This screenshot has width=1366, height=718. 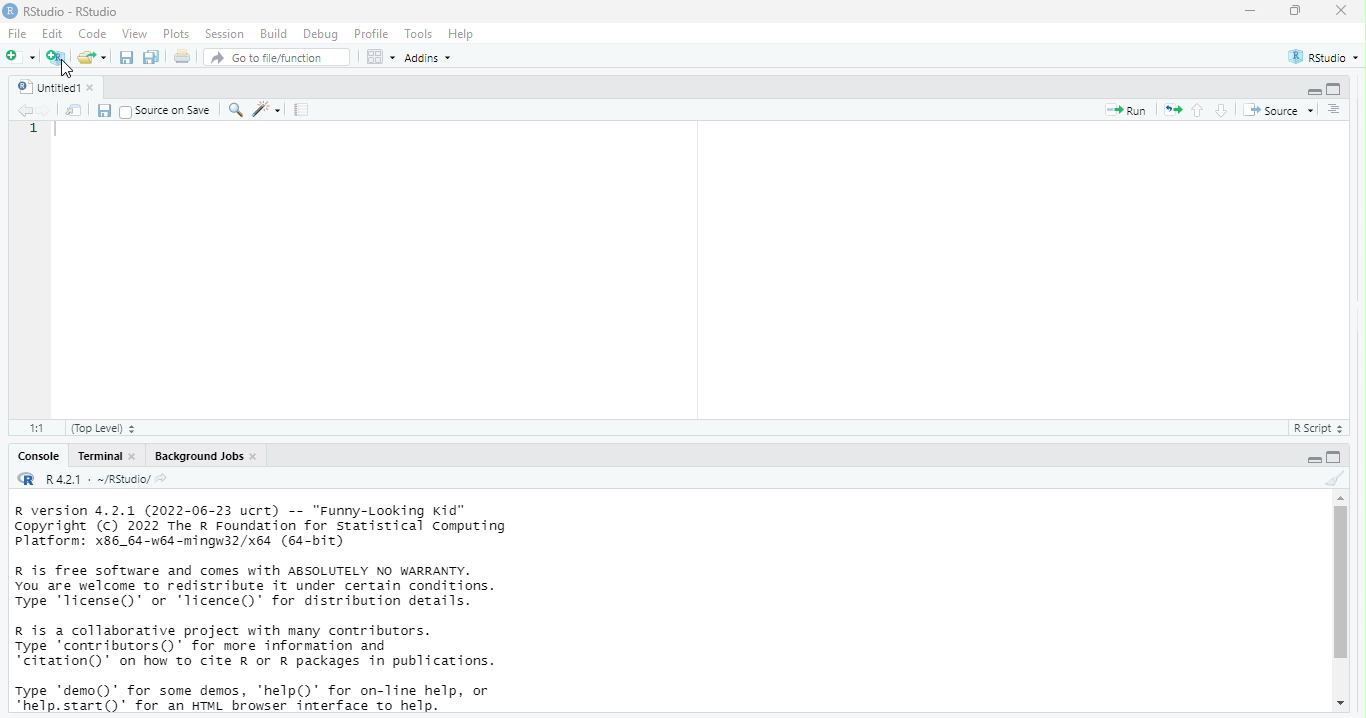 What do you see at coordinates (92, 33) in the screenshot?
I see `code` at bounding box center [92, 33].